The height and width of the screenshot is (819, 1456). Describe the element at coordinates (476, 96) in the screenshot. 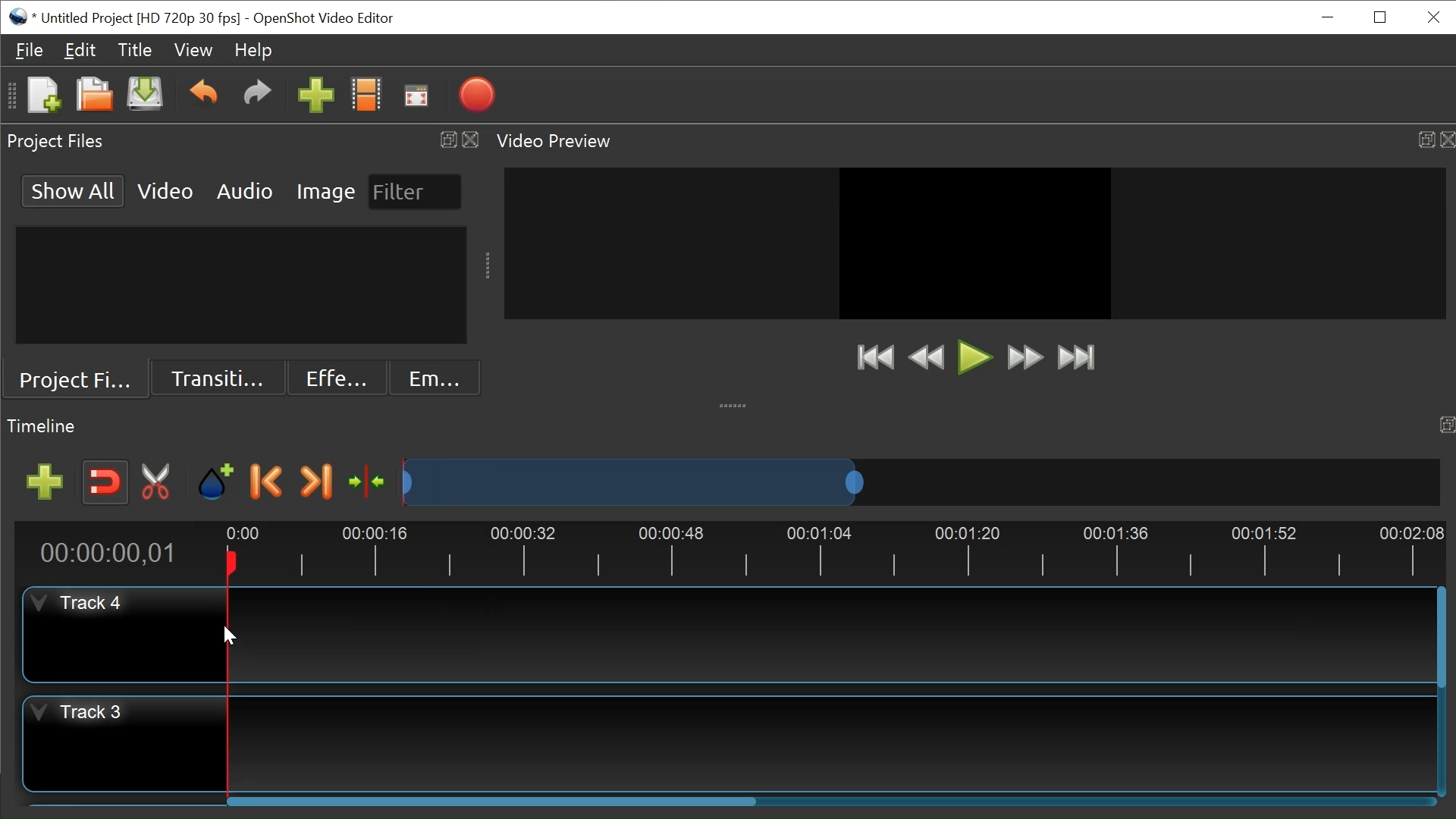

I see `Export Video` at that location.